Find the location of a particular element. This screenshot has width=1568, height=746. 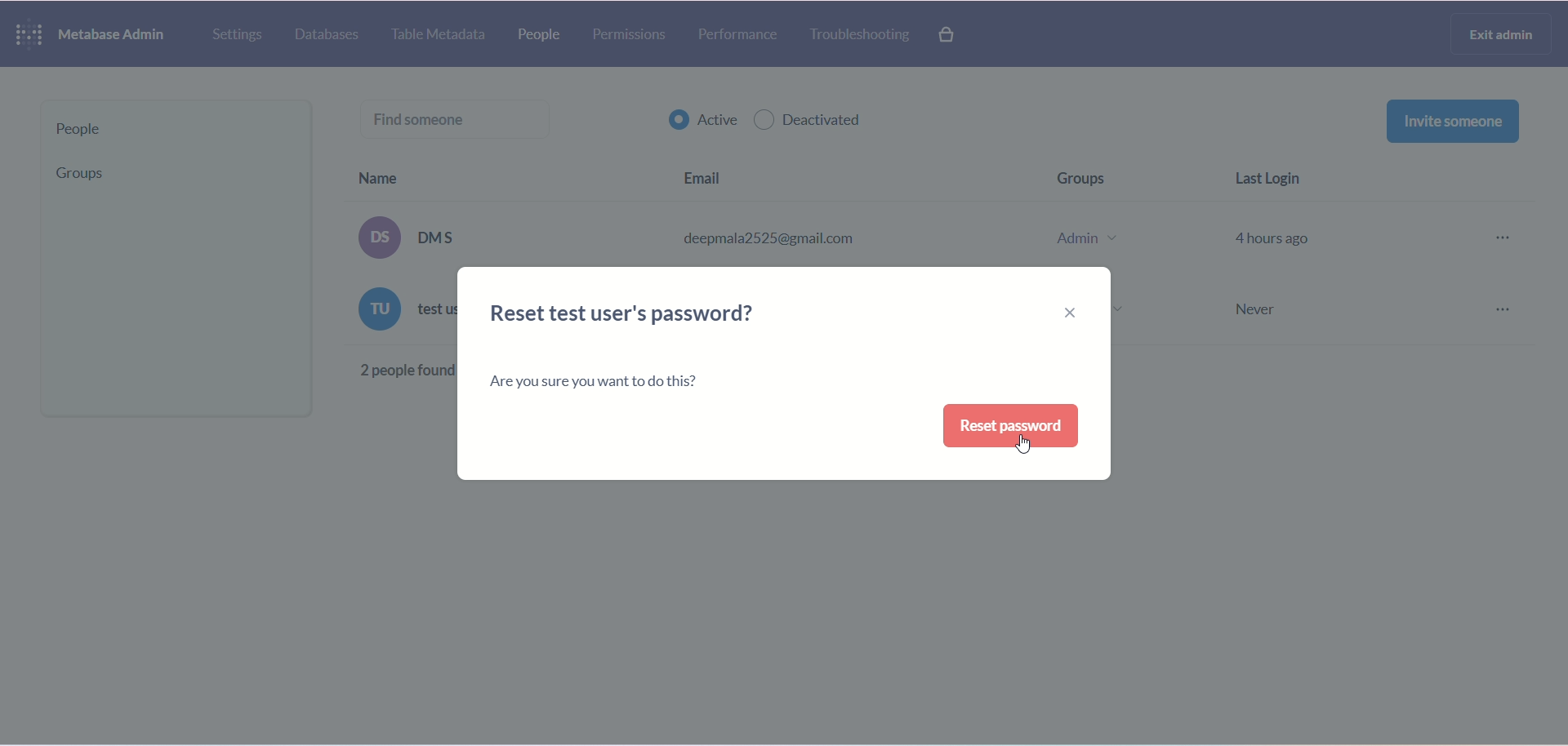

text is located at coordinates (406, 313).